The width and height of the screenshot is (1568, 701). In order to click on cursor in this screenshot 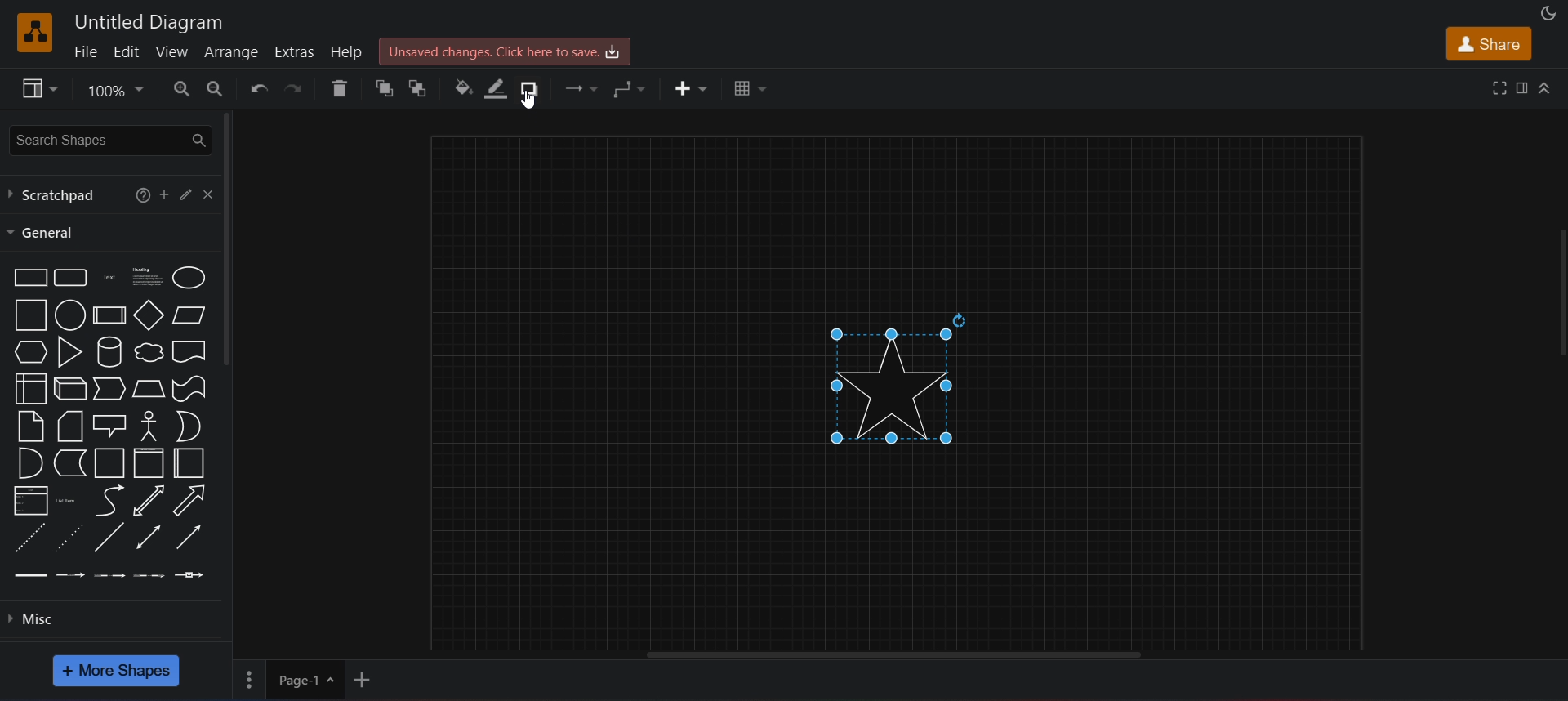, I will do `click(528, 103)`.